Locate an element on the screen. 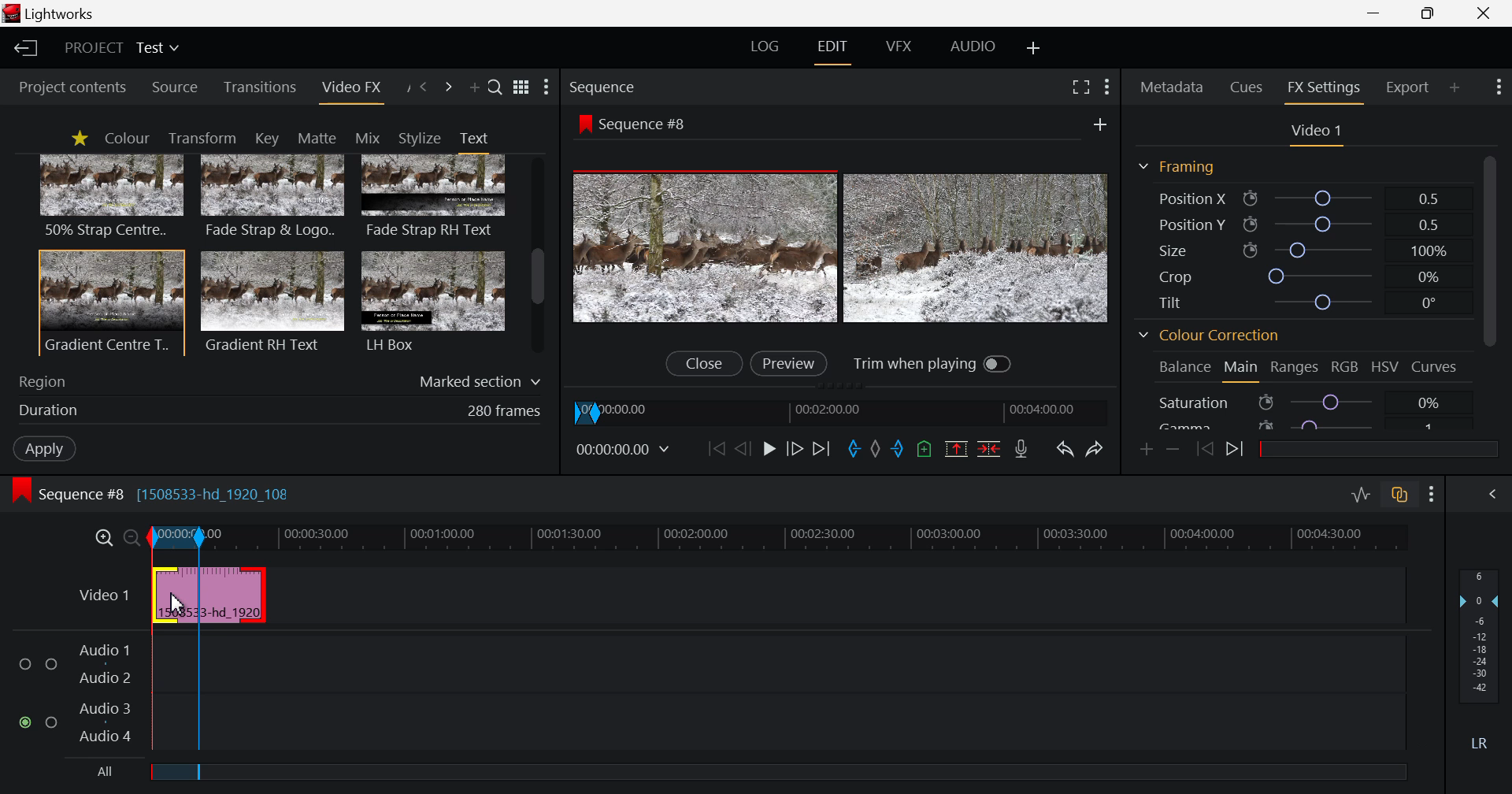 This screenshot has height=794, width=1512. Search is located at coordinates (495, 89).